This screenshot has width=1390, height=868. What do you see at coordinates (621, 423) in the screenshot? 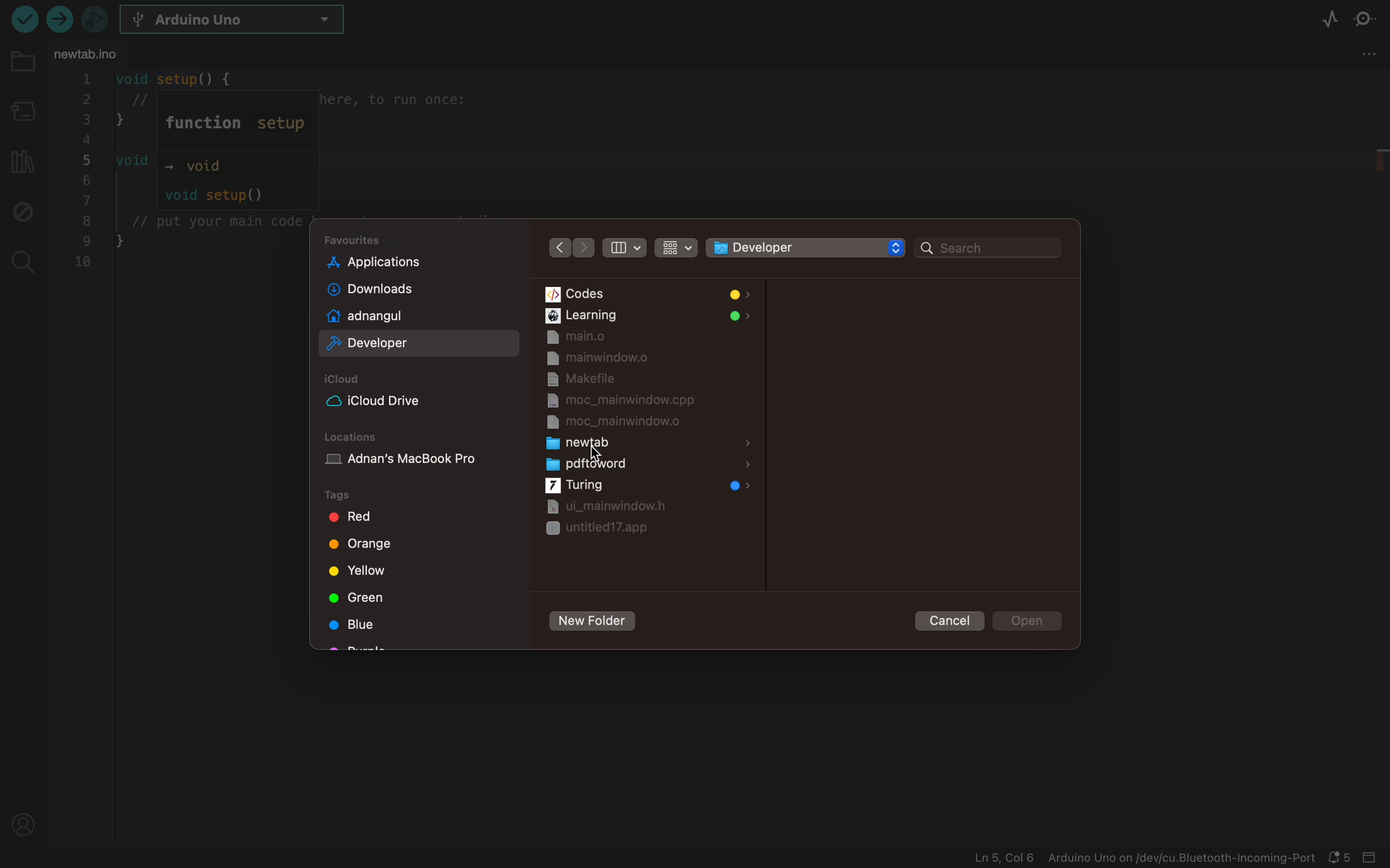
I see `moc window 0` at bounding box center [621, 423].